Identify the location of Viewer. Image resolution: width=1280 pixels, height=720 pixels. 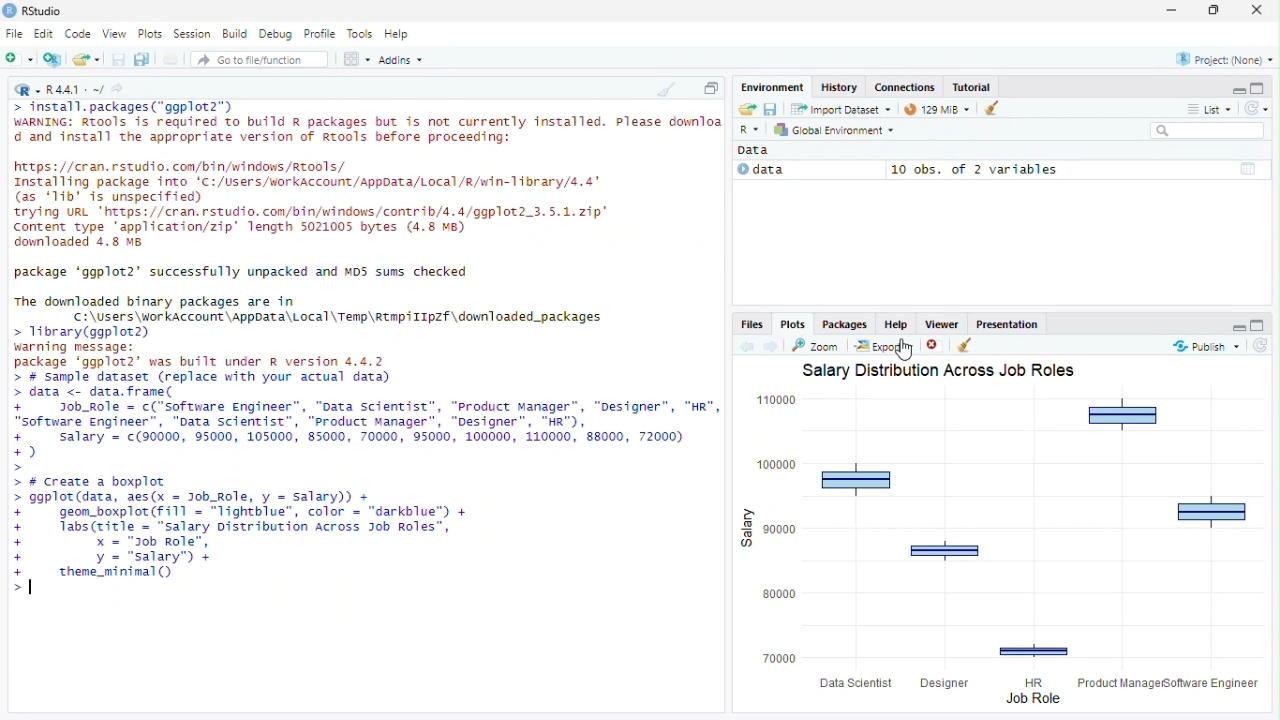
(941, 323).